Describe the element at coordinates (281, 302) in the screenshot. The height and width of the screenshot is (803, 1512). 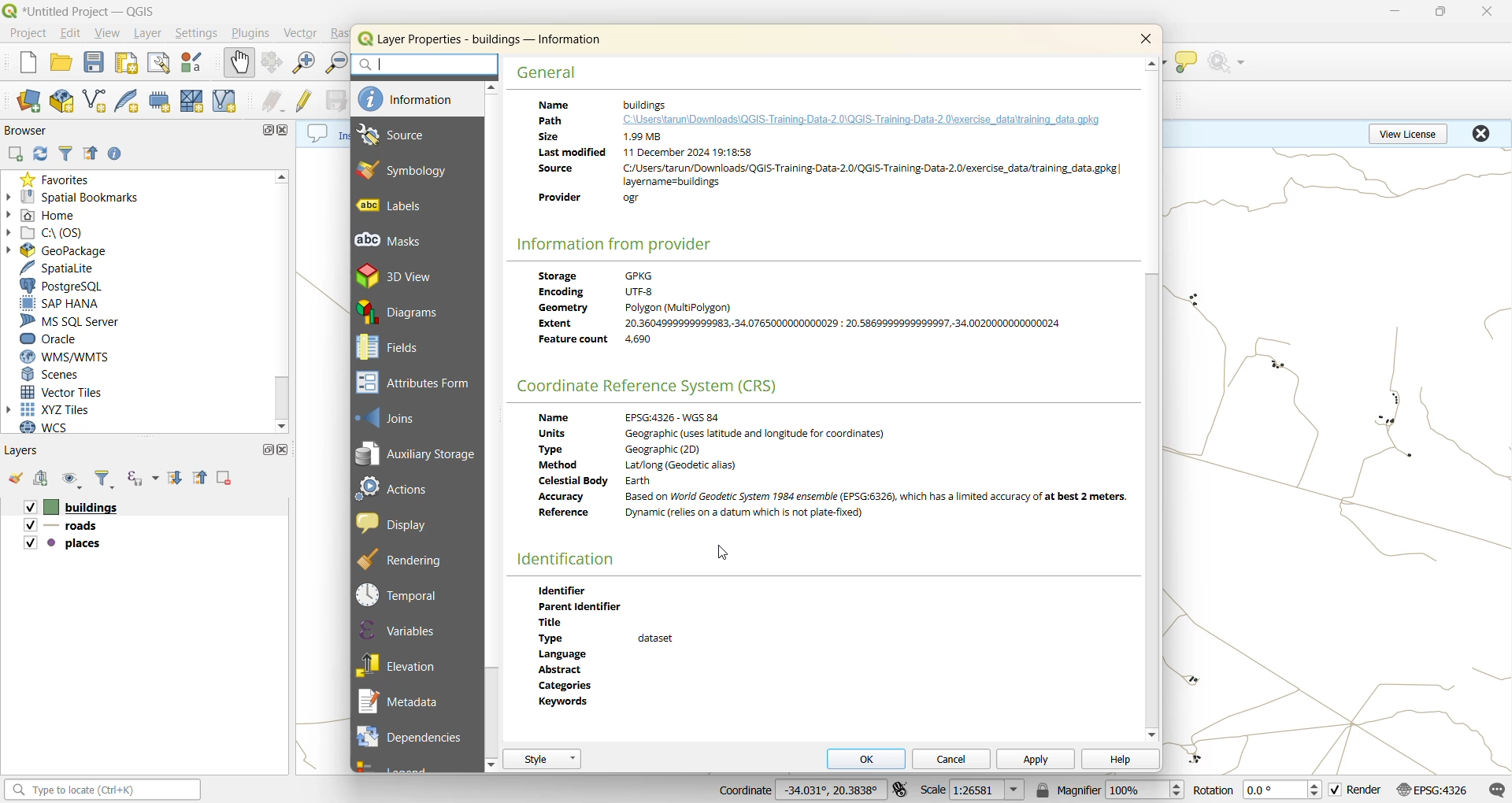
I see `scrollbar` at that location.